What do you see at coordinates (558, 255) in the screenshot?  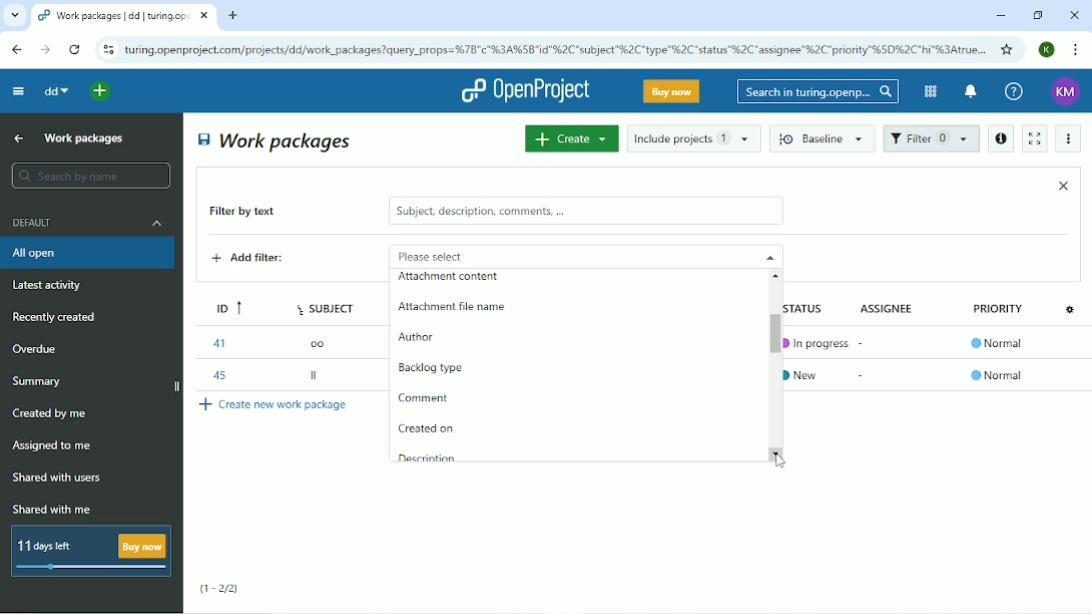 I see `Please select` at bounding box center [558, 255].